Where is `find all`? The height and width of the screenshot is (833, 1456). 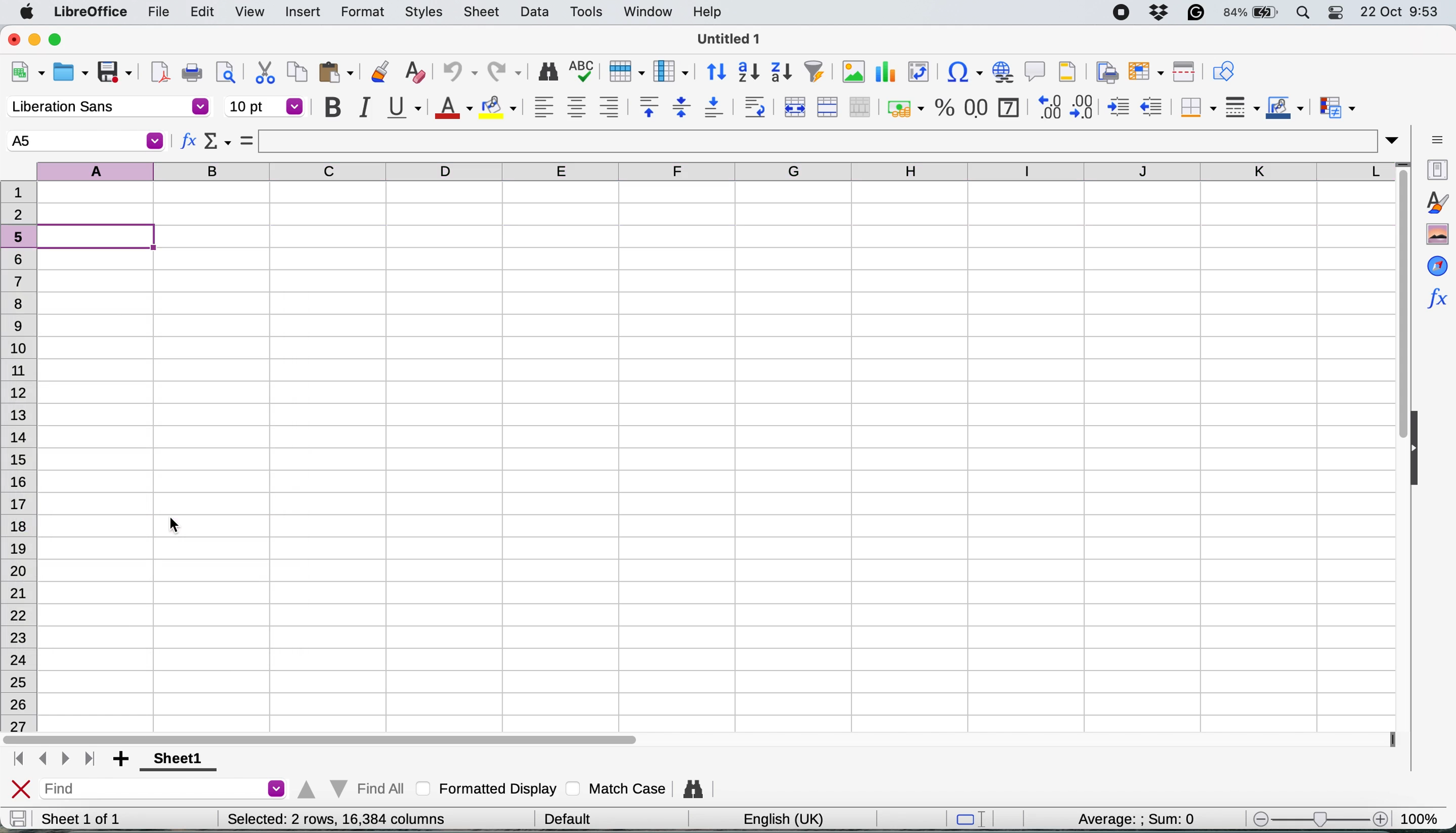
find all is located at coordinates (349, 786).